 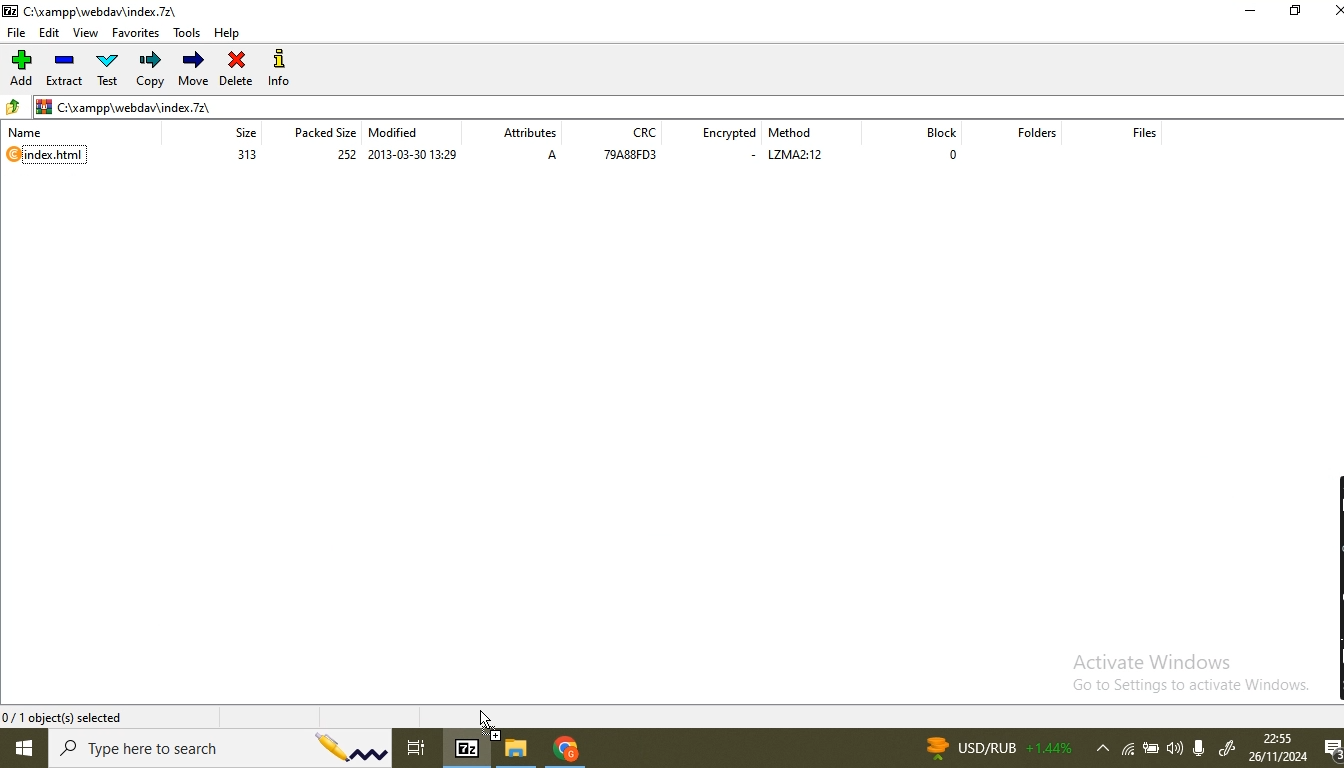 I want to click on chrome, so click(x=565, y=751).